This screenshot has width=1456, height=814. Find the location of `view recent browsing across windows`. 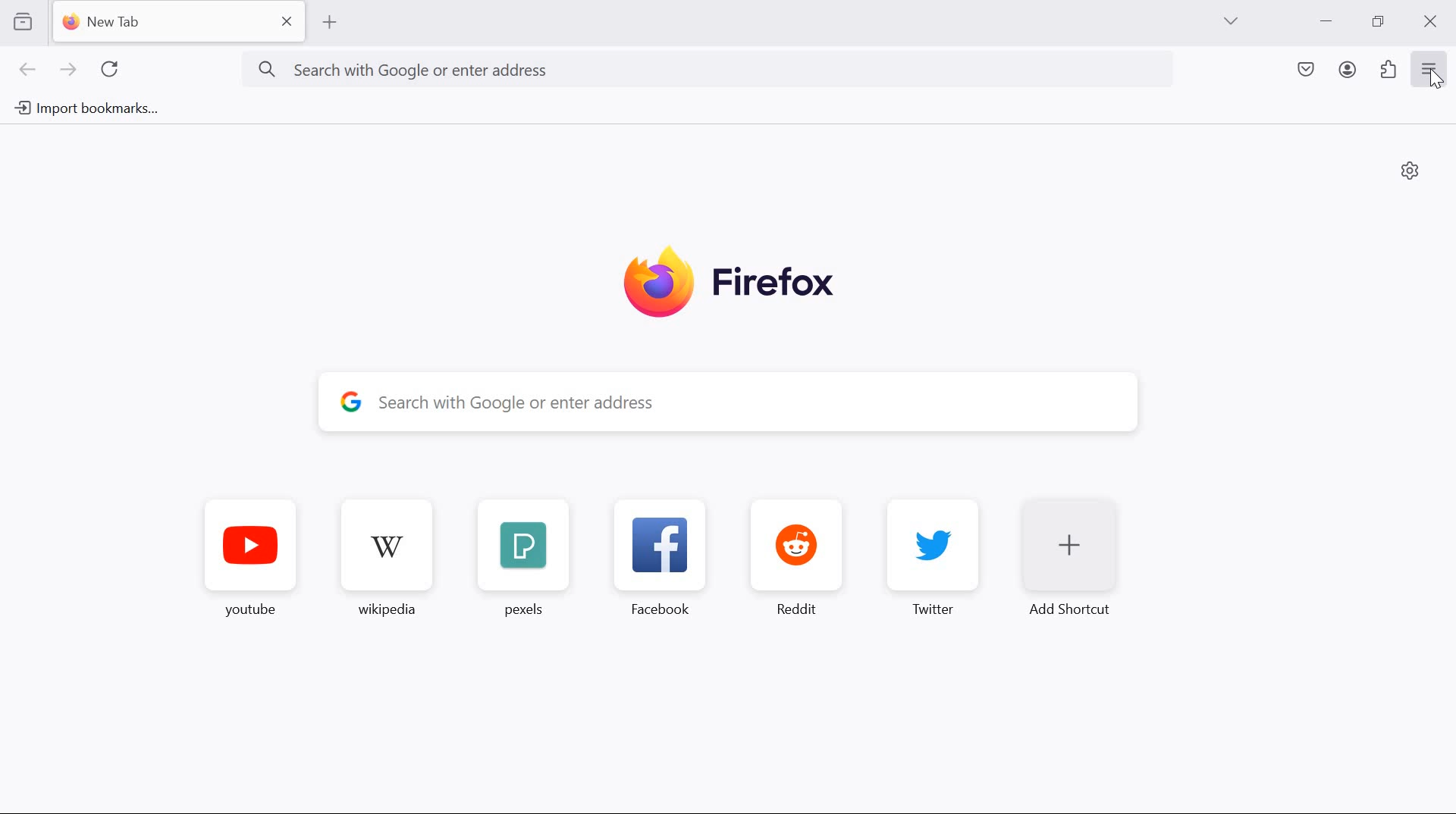

view recent browsing across windows is located at coordinates (23, 20).